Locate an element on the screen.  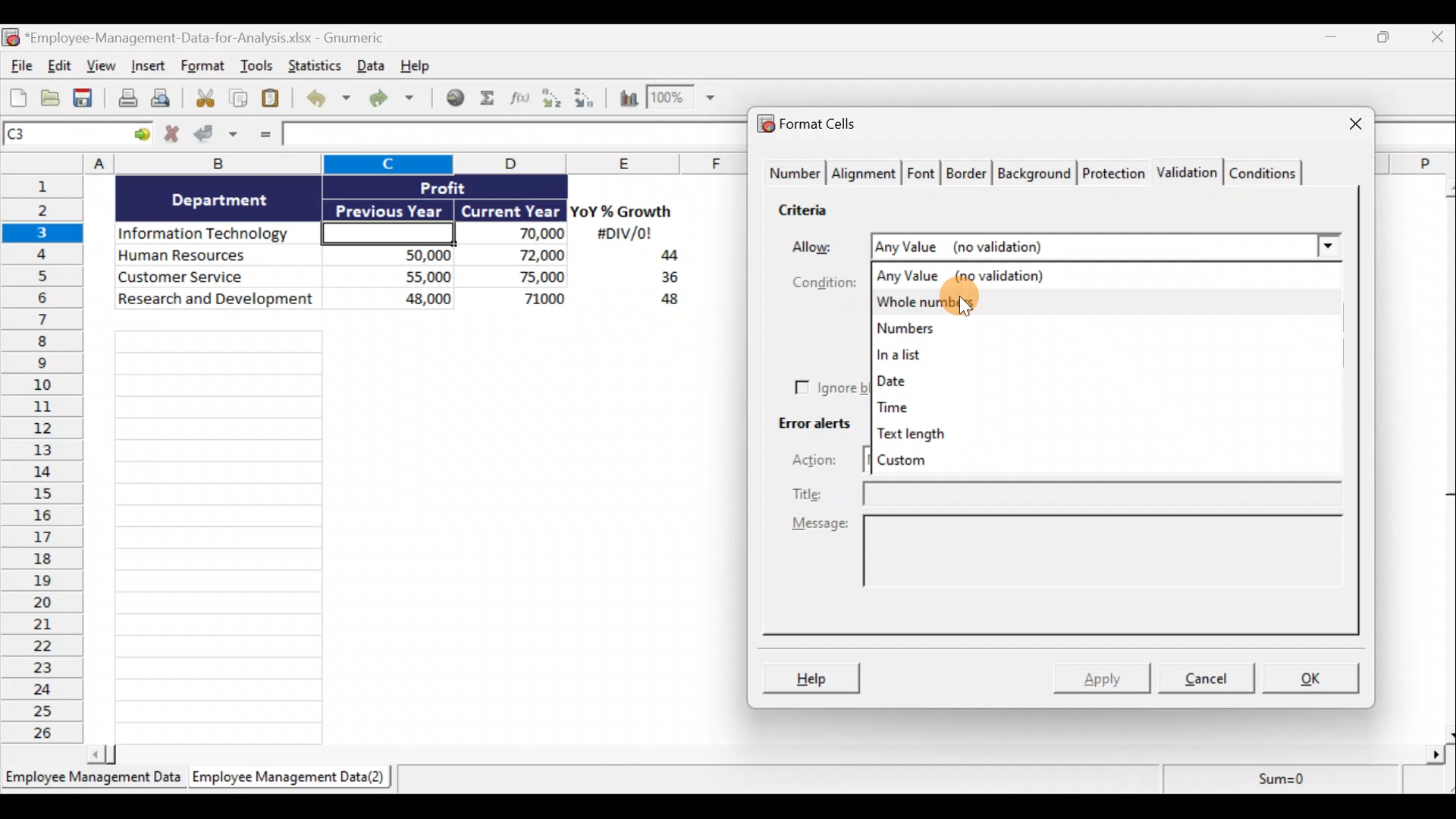
Human Resources is located at coordinates (215, 256).